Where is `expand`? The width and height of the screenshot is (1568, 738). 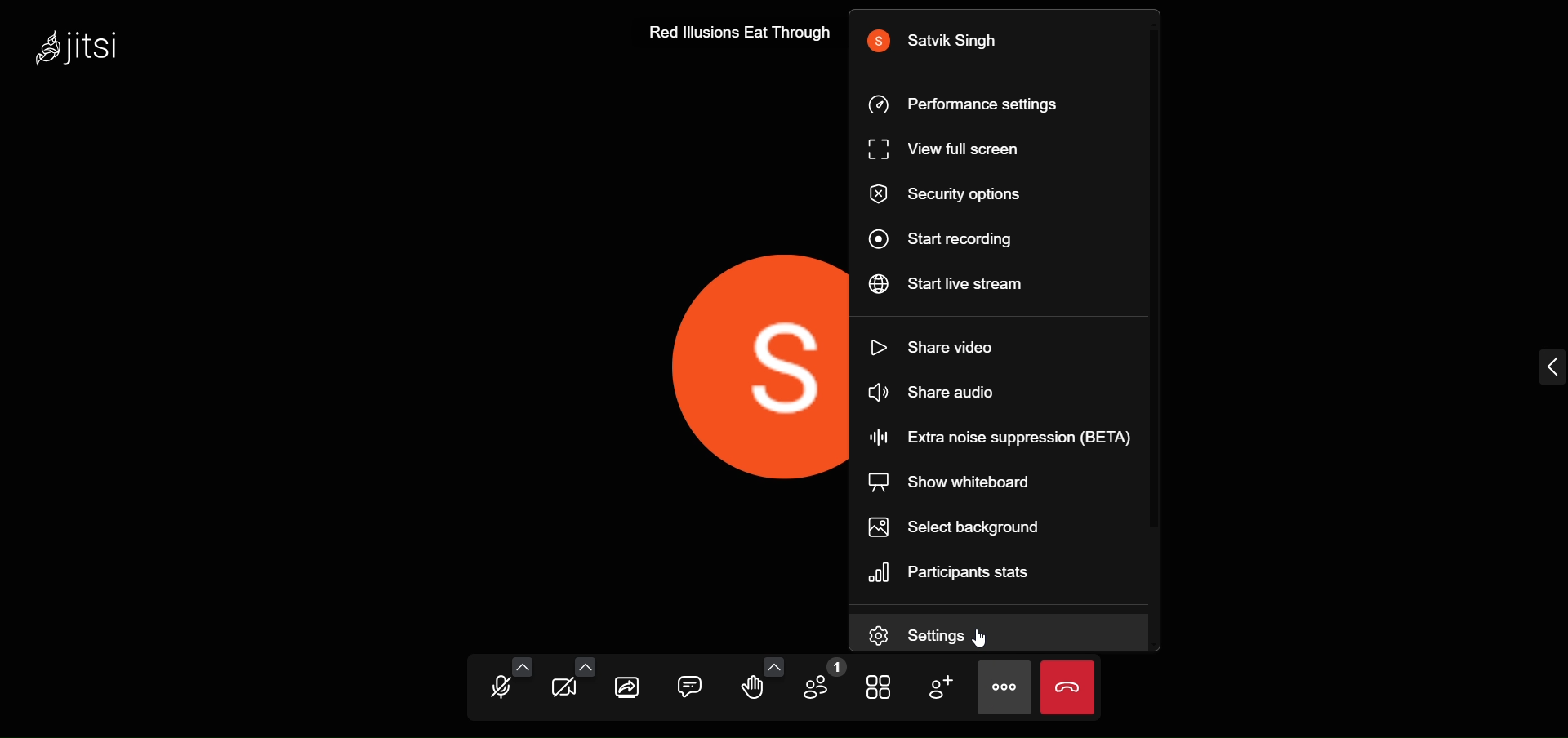
expand is located at coordinates (1547, 370).